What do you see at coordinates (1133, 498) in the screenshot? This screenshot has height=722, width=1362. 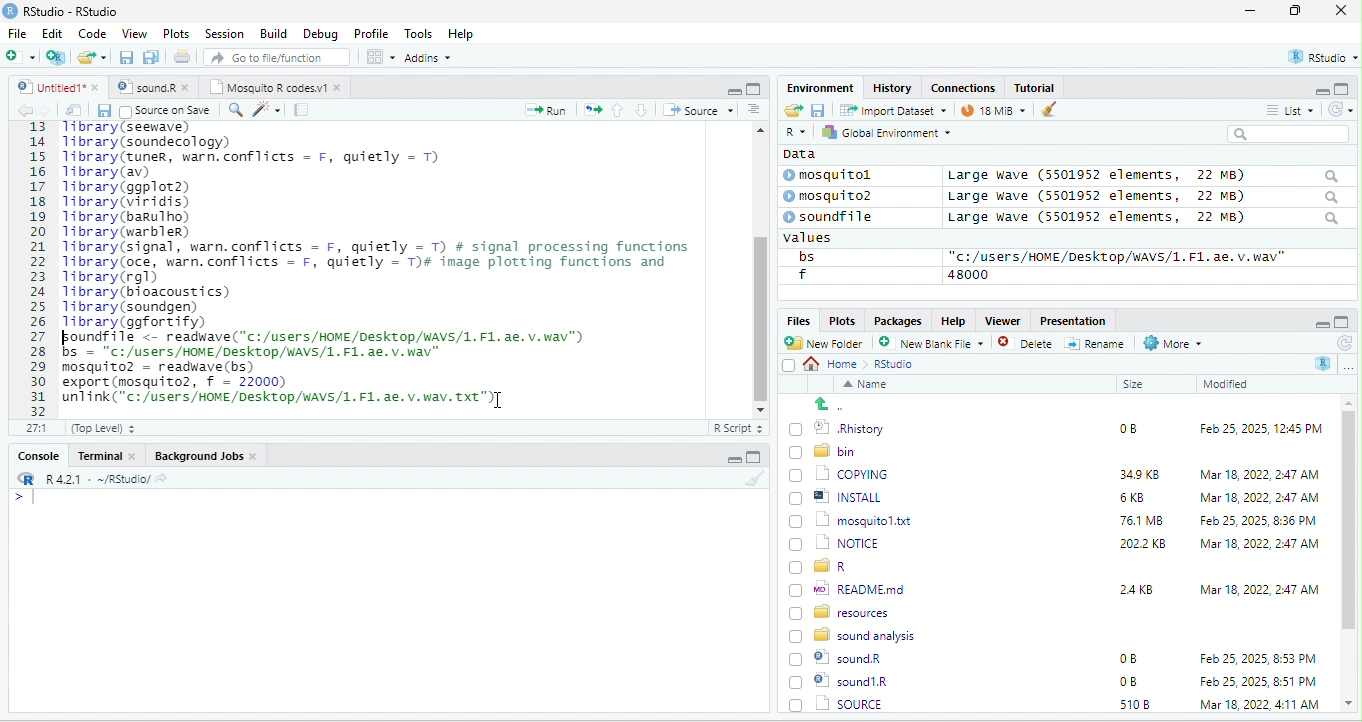 I see `6KB` at bounding box center [1133, 498].